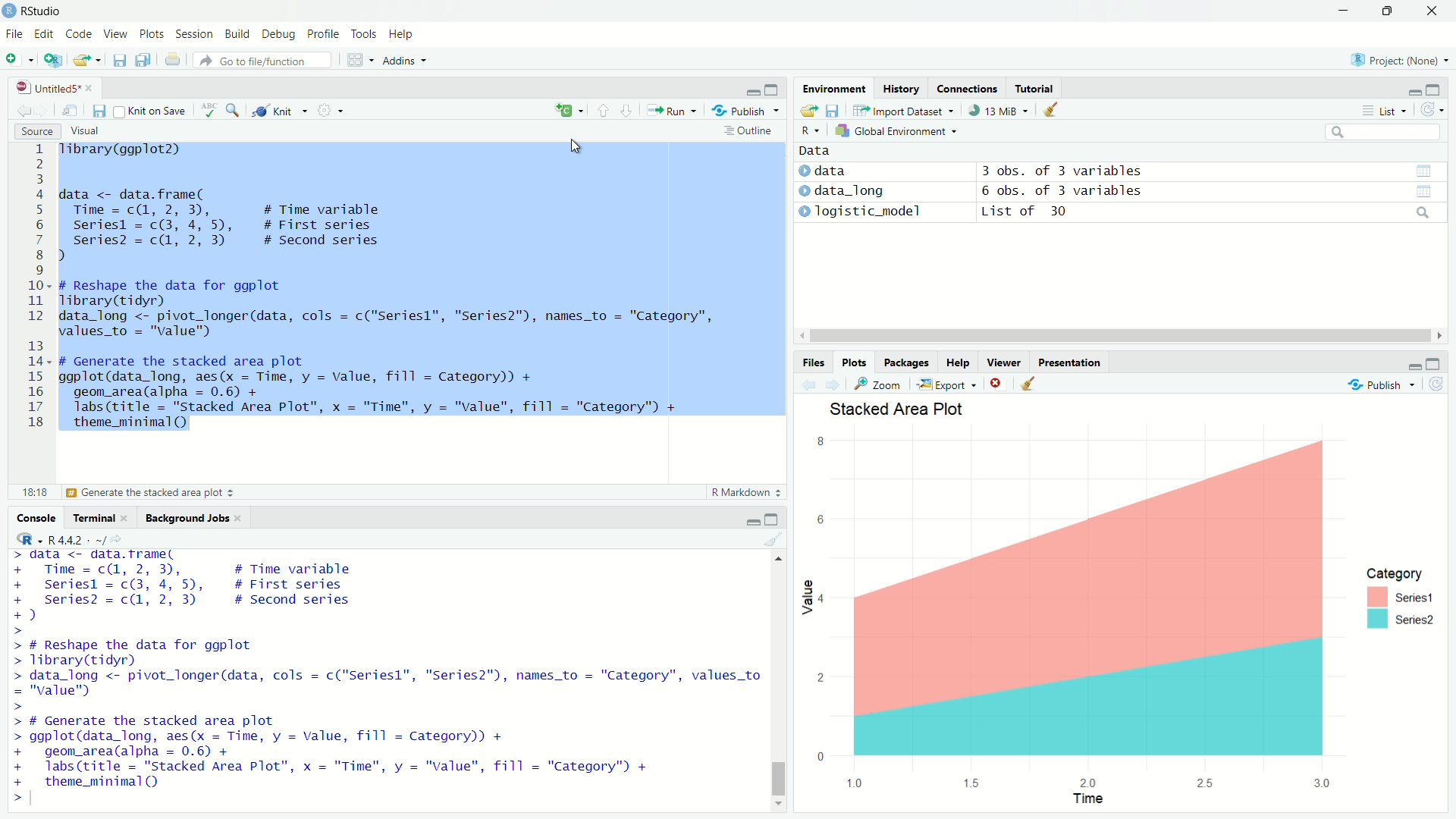  Describe the element at coordinates (1404, 60) in the screenshot. I see `Project: (None)` at that location.